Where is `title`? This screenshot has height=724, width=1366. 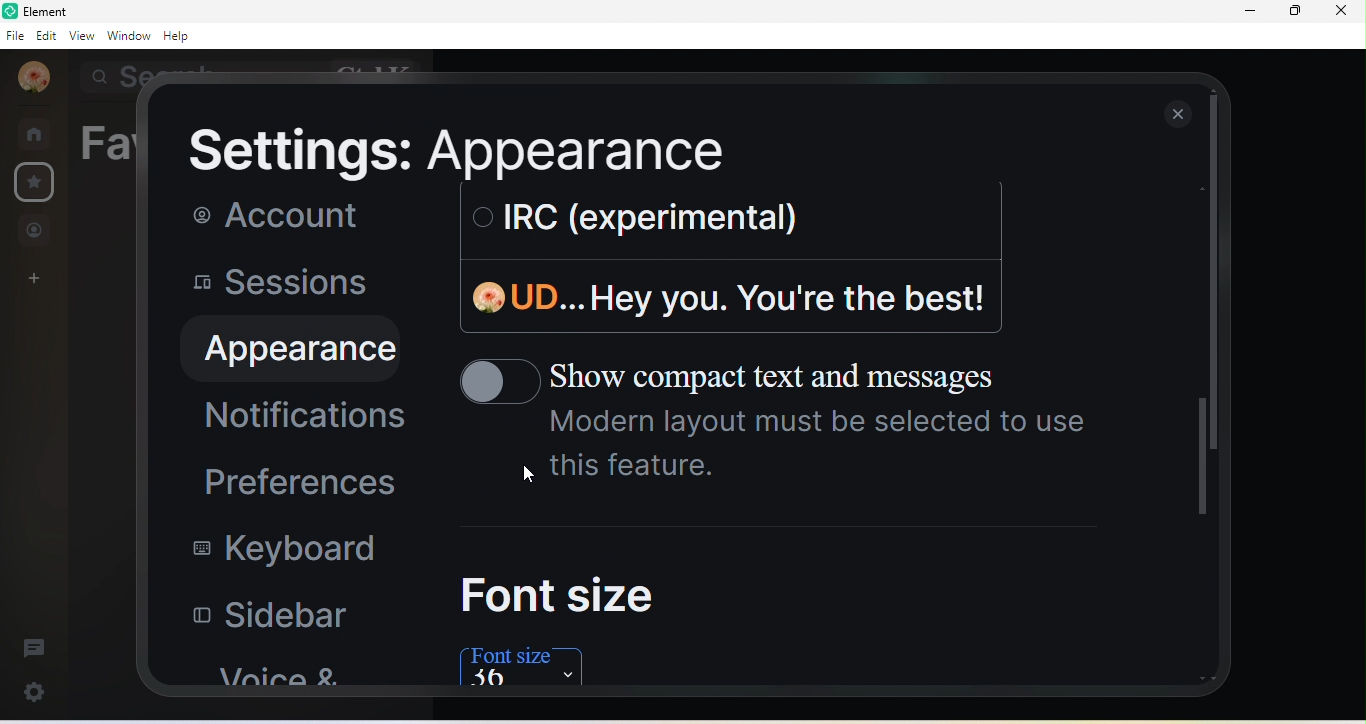 title is located at coordinates (51, 11).